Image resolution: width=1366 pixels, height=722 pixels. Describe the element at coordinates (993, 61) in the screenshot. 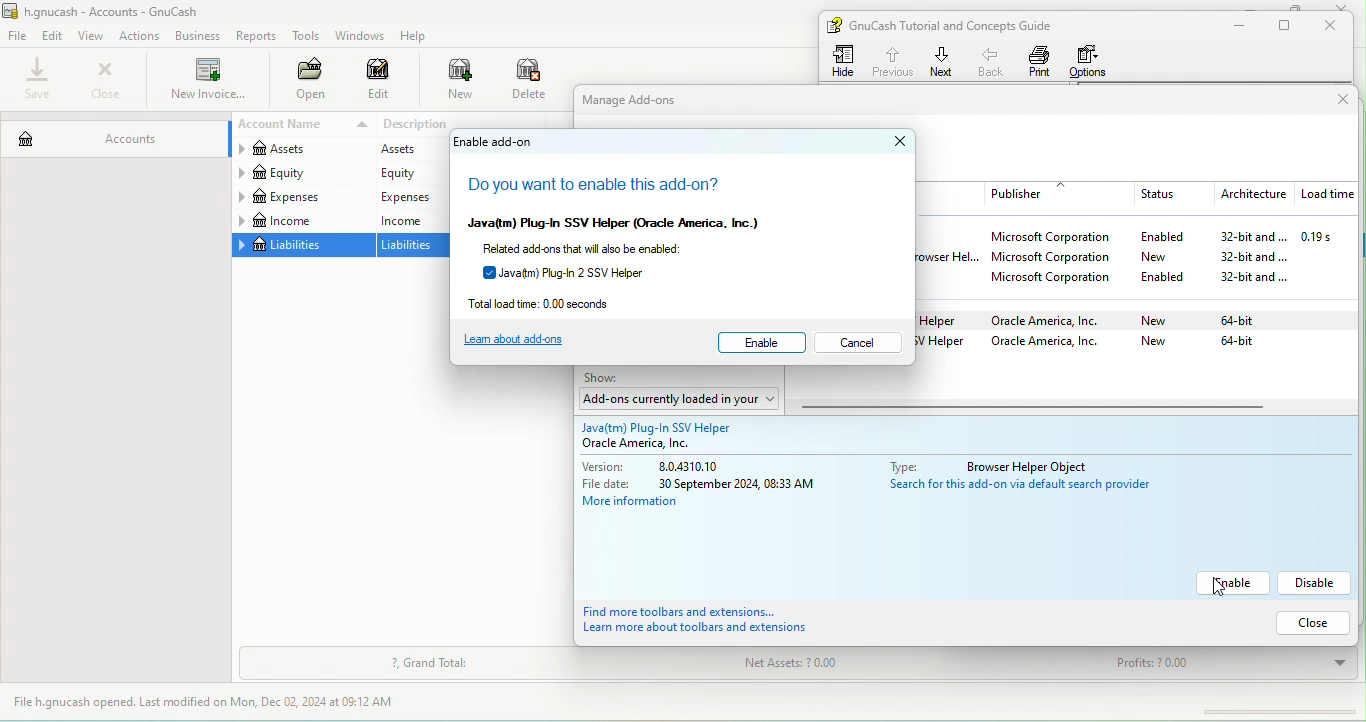

I see `back` at that location.